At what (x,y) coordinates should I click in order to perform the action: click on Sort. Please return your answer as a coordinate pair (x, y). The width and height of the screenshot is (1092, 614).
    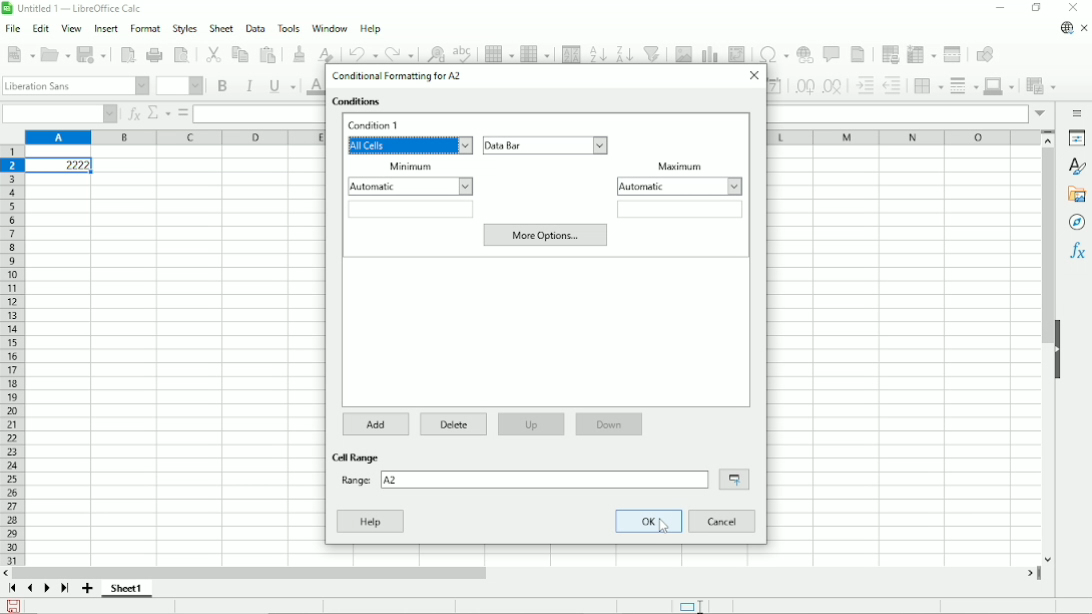
    Looking at the image, I should click on (571, 53).